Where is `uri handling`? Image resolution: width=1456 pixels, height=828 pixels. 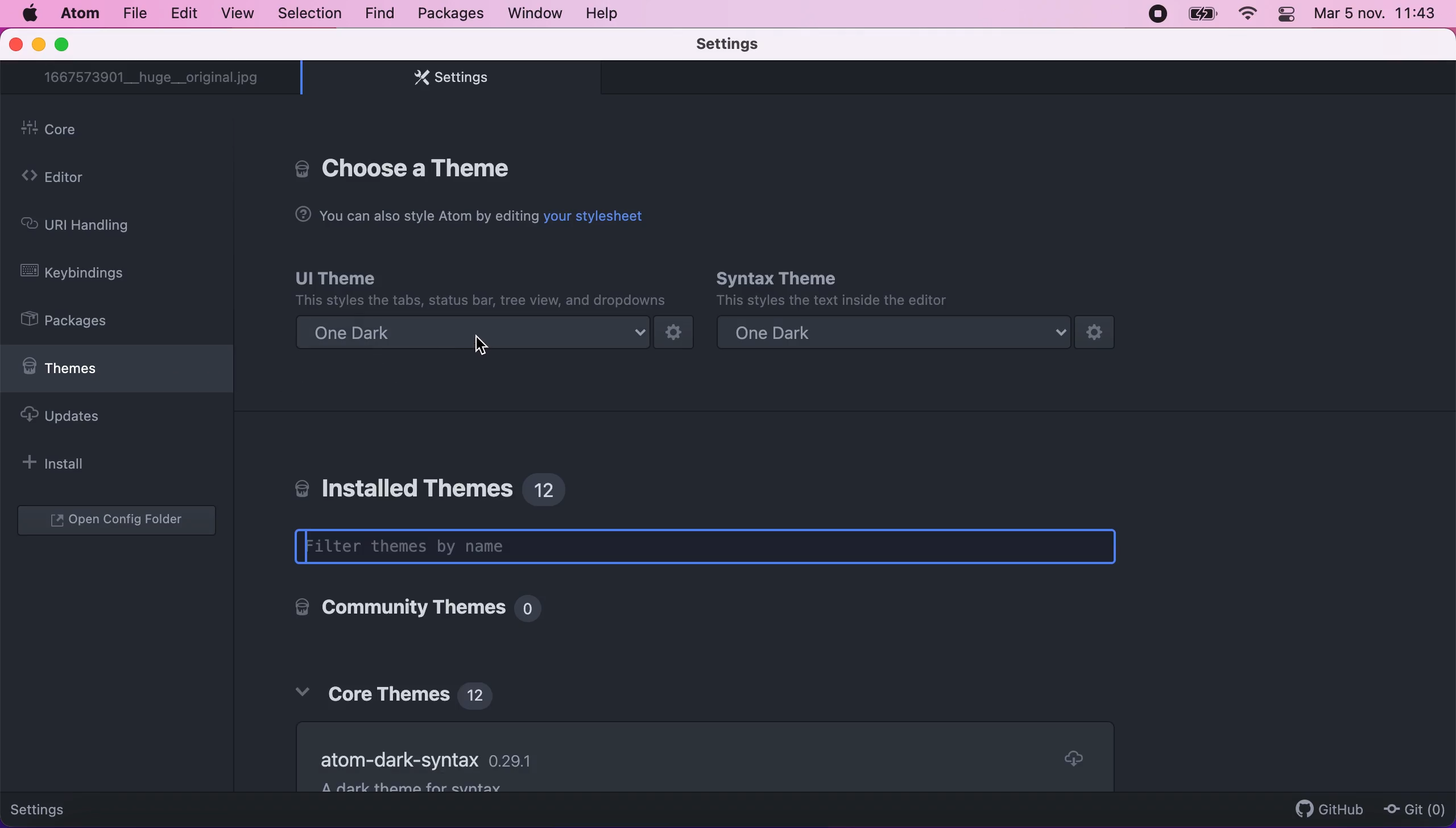
uri handling is located at coordinates (90, 226).